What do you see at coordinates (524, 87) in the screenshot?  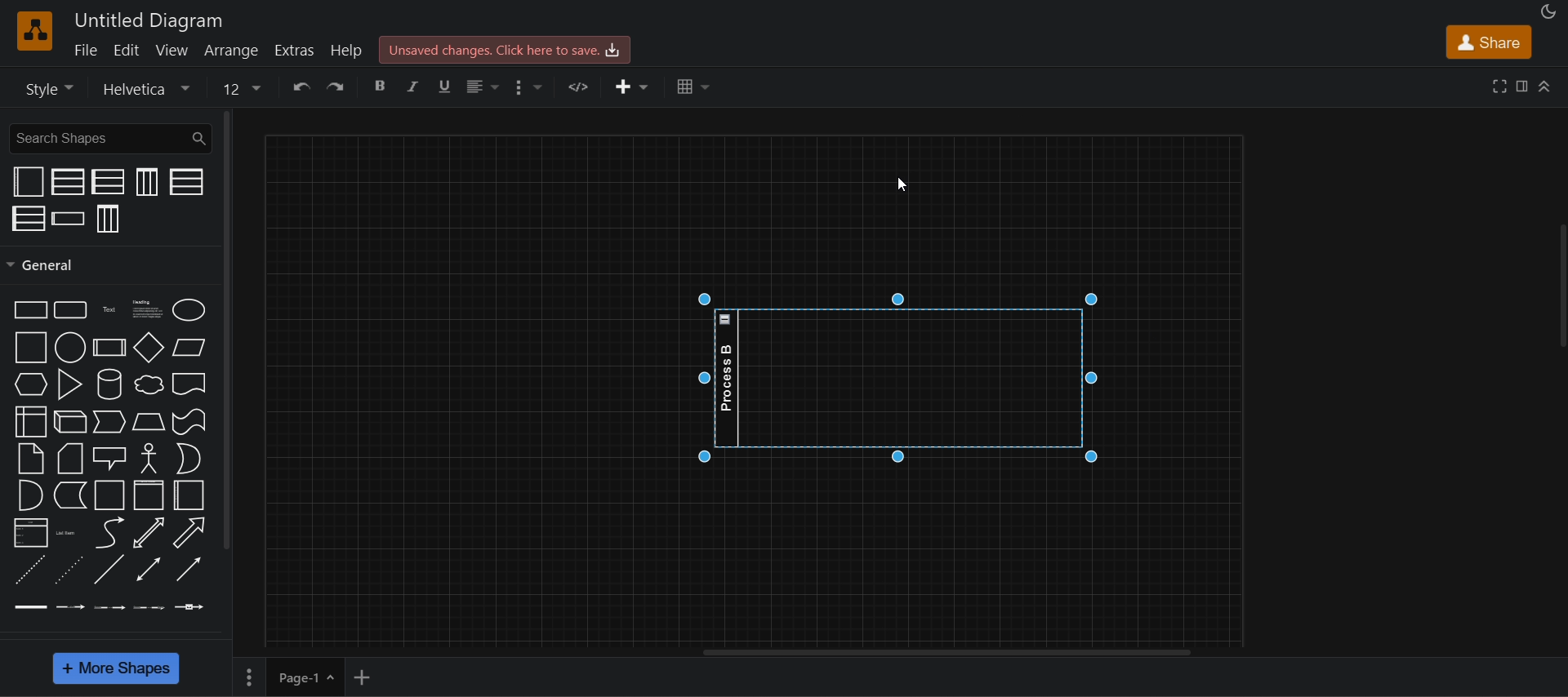 I see `options` at bounding box center [524, 87].